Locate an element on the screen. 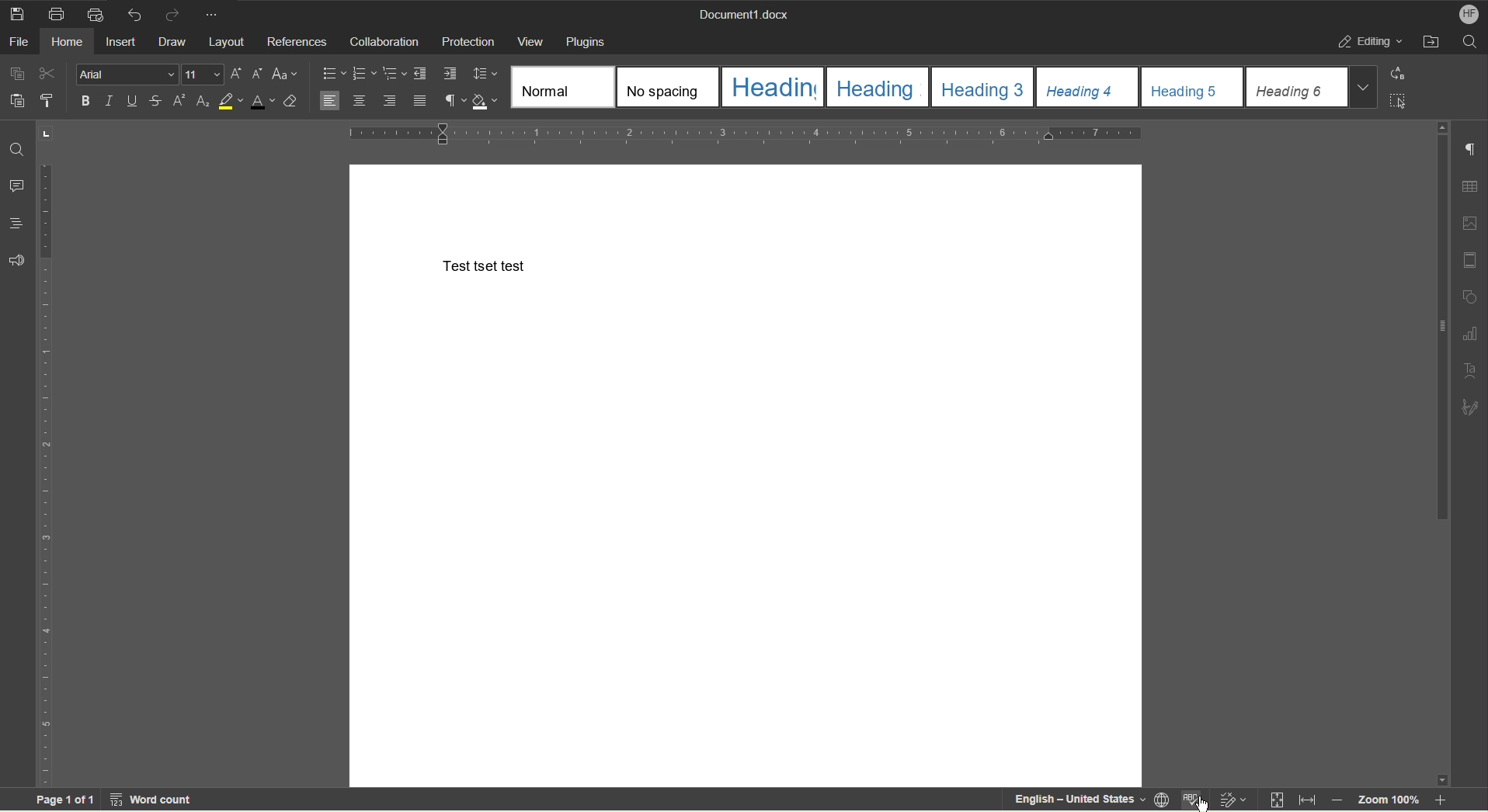  Layout is located at coordinates (230, 43).